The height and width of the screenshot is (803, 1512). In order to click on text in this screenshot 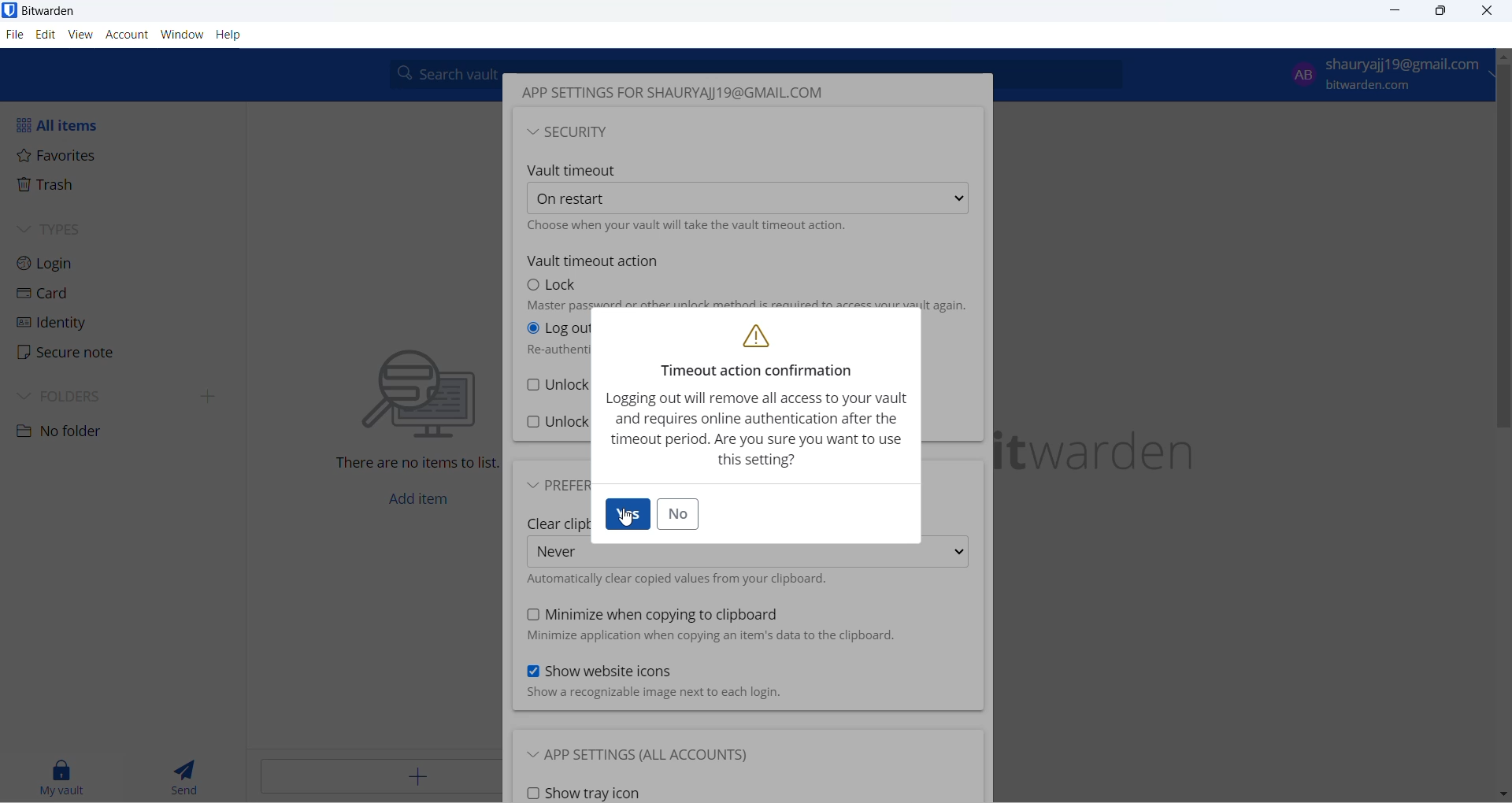, I will do `click(710, 637)`.